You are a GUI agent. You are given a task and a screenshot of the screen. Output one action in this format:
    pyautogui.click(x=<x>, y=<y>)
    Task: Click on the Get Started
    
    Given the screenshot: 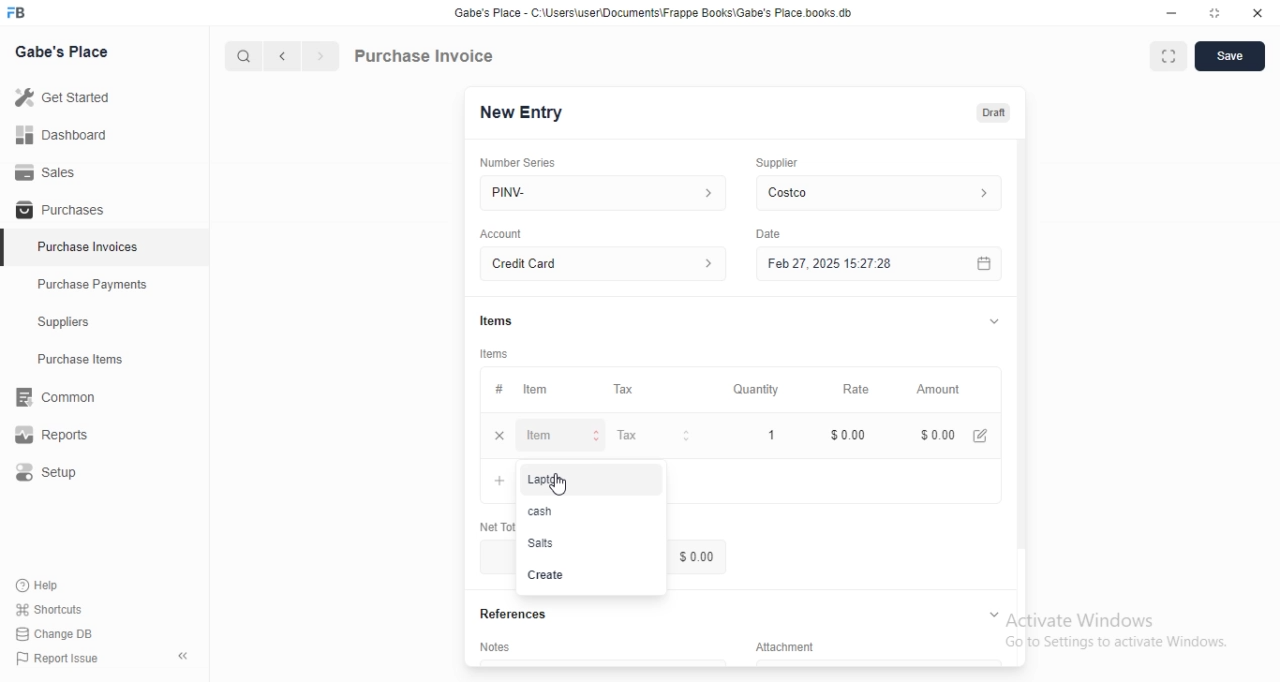 What is the action you would take?
    pyautogui.click(x=104, y=97)
    